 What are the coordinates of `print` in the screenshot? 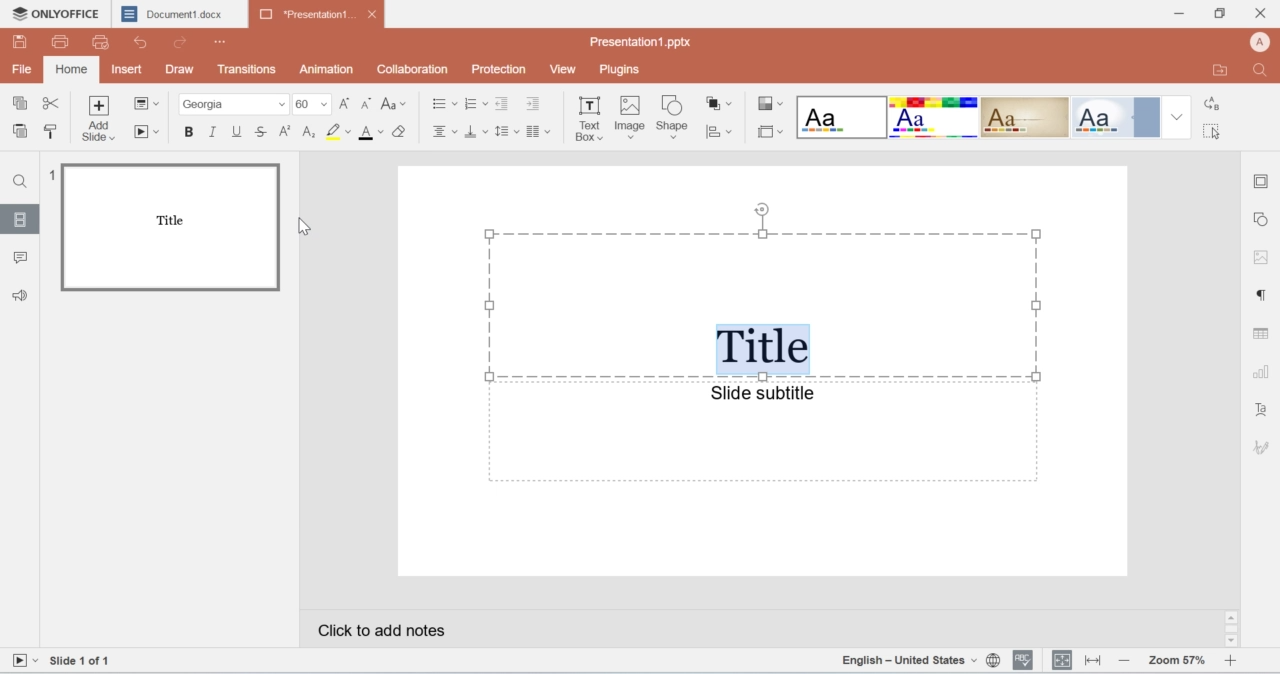 It's located at (63, 43).